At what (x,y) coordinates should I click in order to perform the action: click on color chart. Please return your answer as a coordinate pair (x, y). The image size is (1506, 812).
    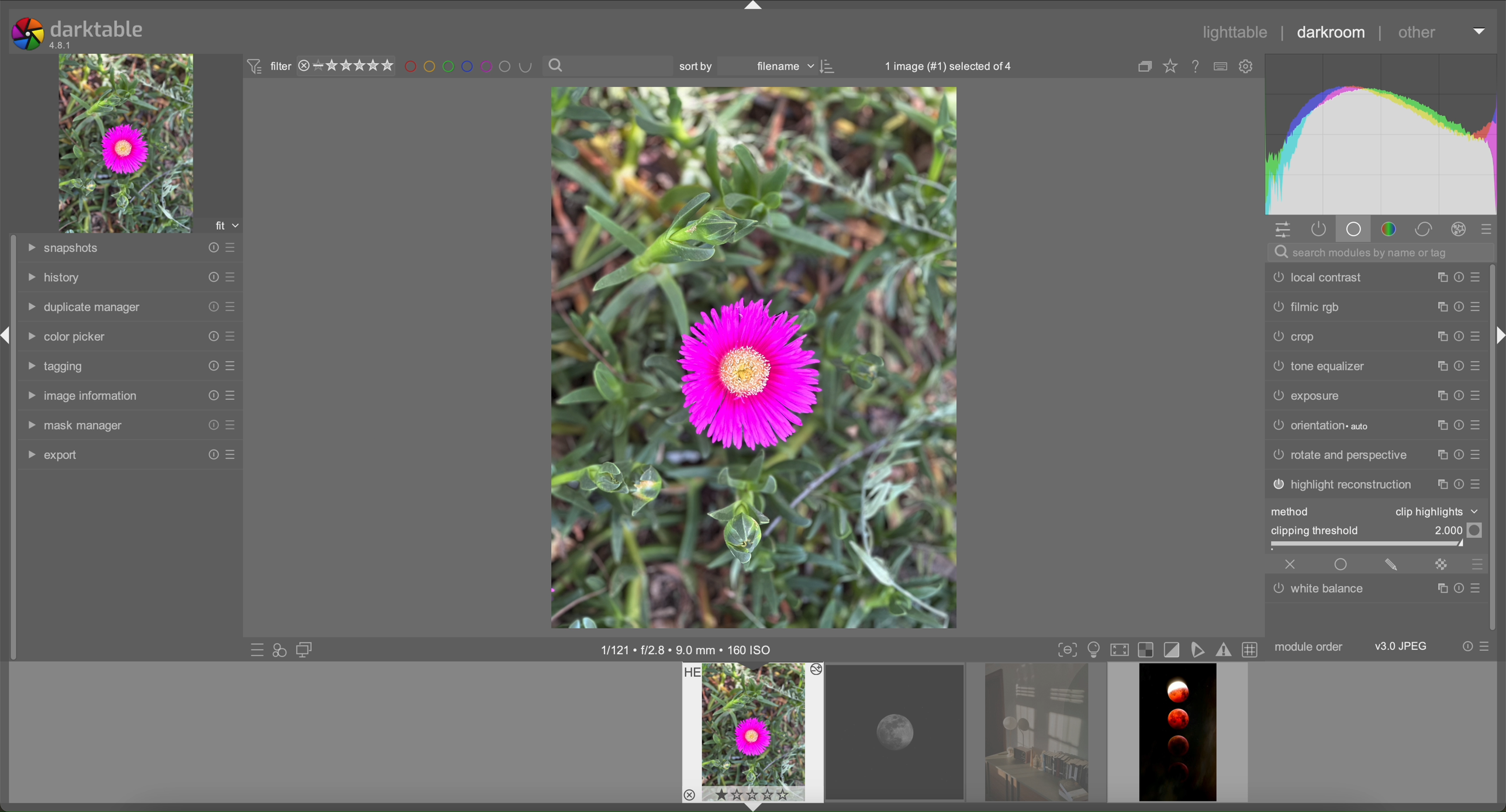
    Looking at the image, I should click on (1383, 133).